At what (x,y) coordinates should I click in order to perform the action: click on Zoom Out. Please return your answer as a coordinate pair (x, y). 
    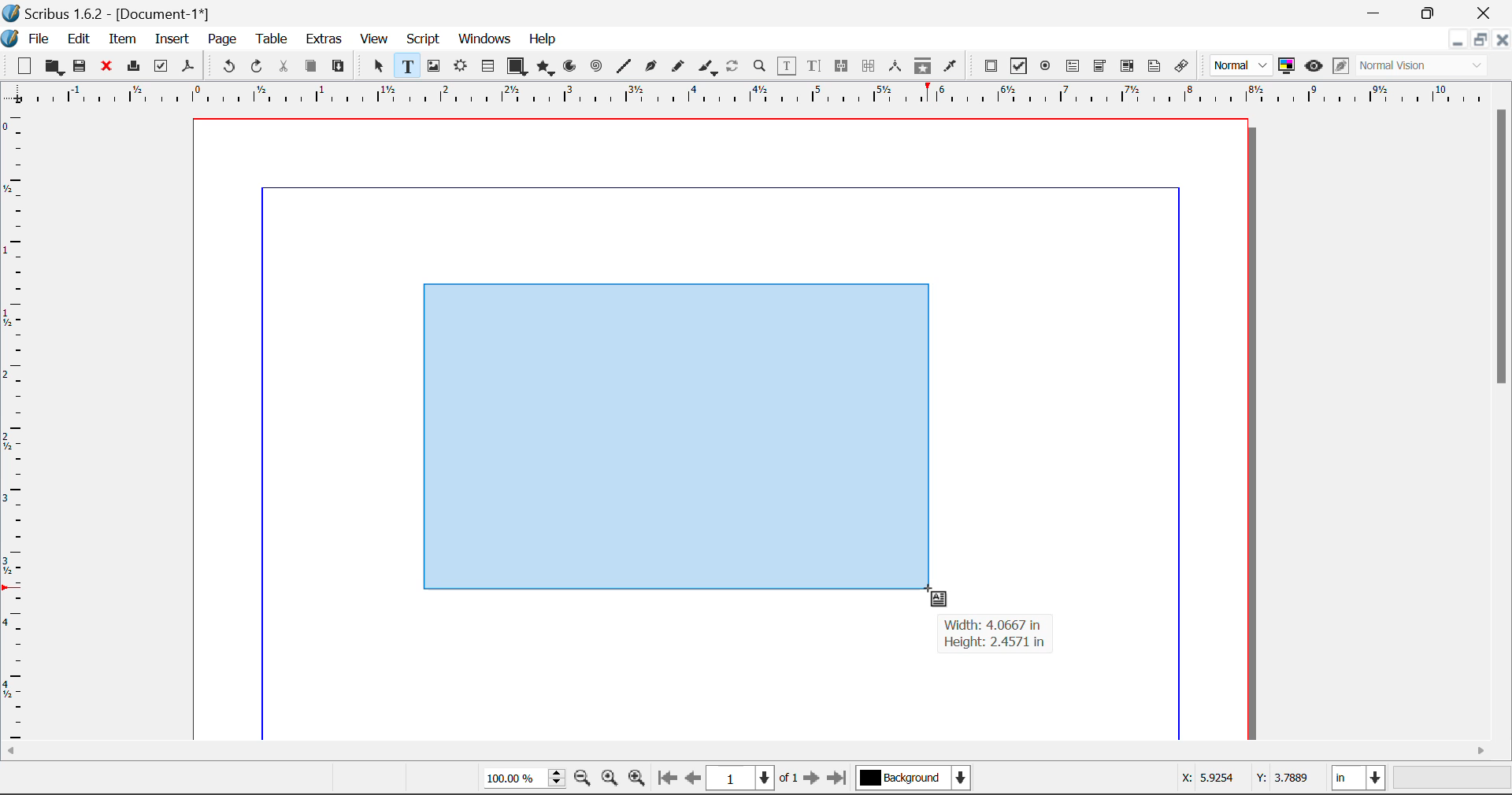
    Looking at the image, I should click on (584, 780).